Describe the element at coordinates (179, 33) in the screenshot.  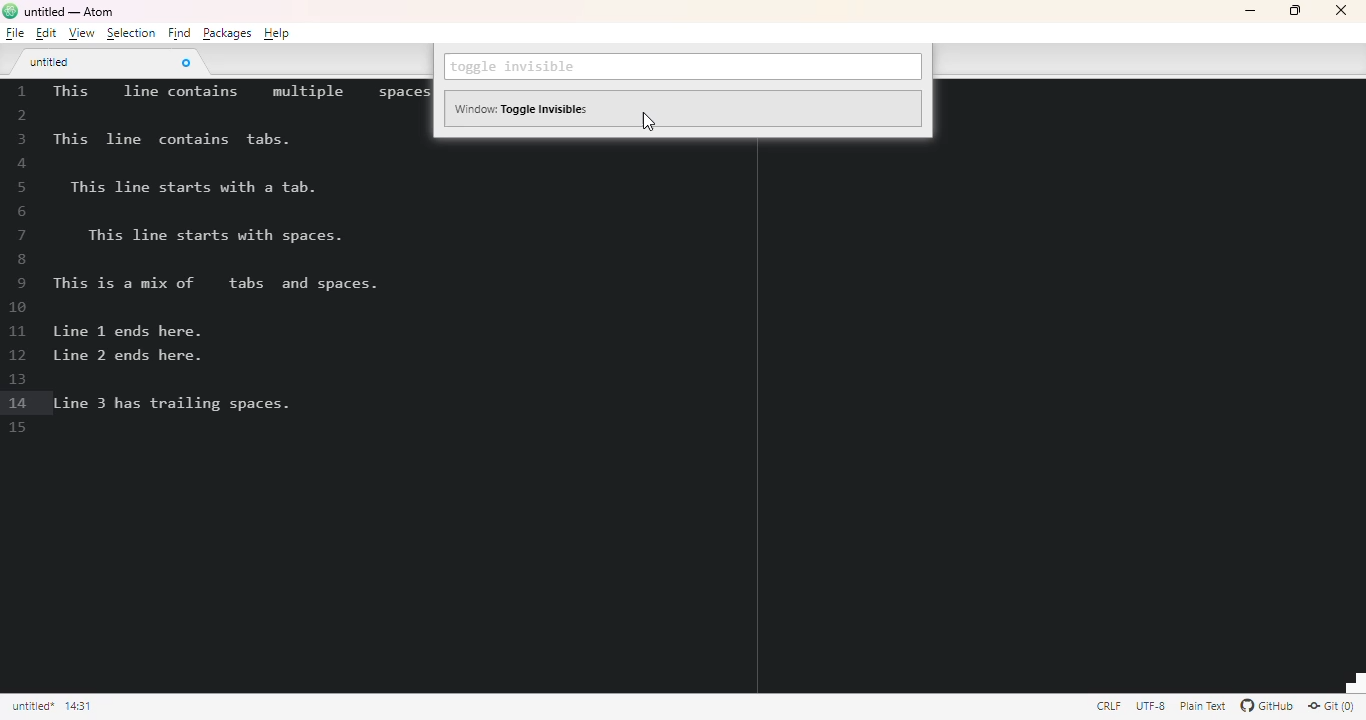
I see `find` at that location.